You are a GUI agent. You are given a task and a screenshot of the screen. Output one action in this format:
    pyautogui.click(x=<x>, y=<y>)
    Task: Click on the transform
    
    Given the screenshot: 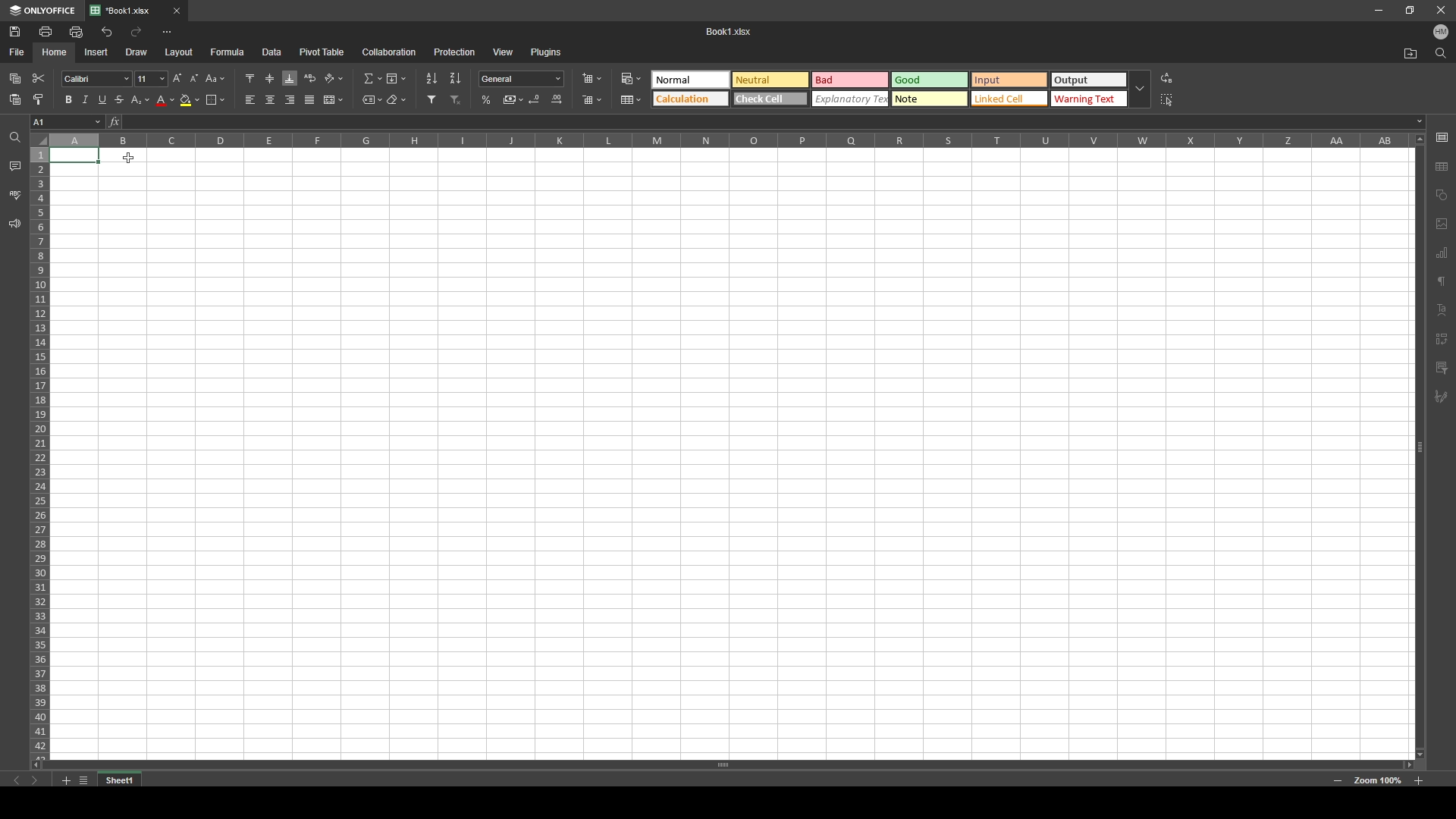 What is the action you would take?
    pyautogui.click(x=1442, y=339)
    